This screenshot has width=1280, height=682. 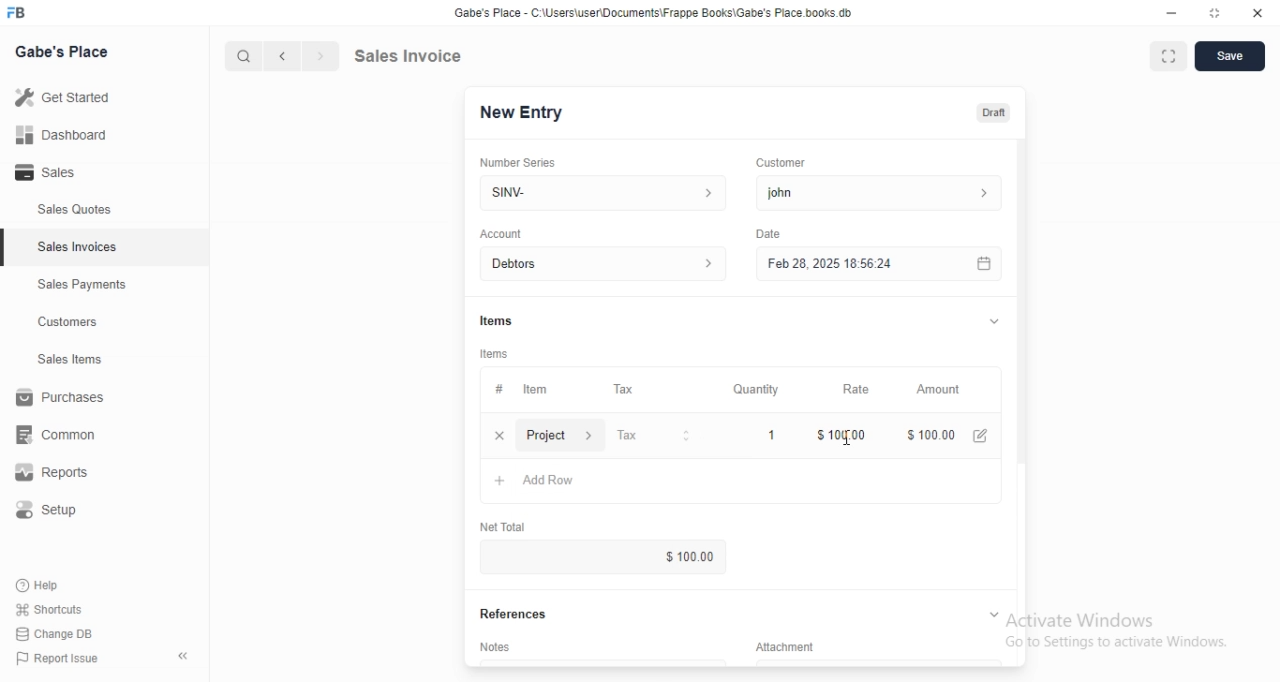 I want to click on ‘Amount, so click(x=940, y=390).